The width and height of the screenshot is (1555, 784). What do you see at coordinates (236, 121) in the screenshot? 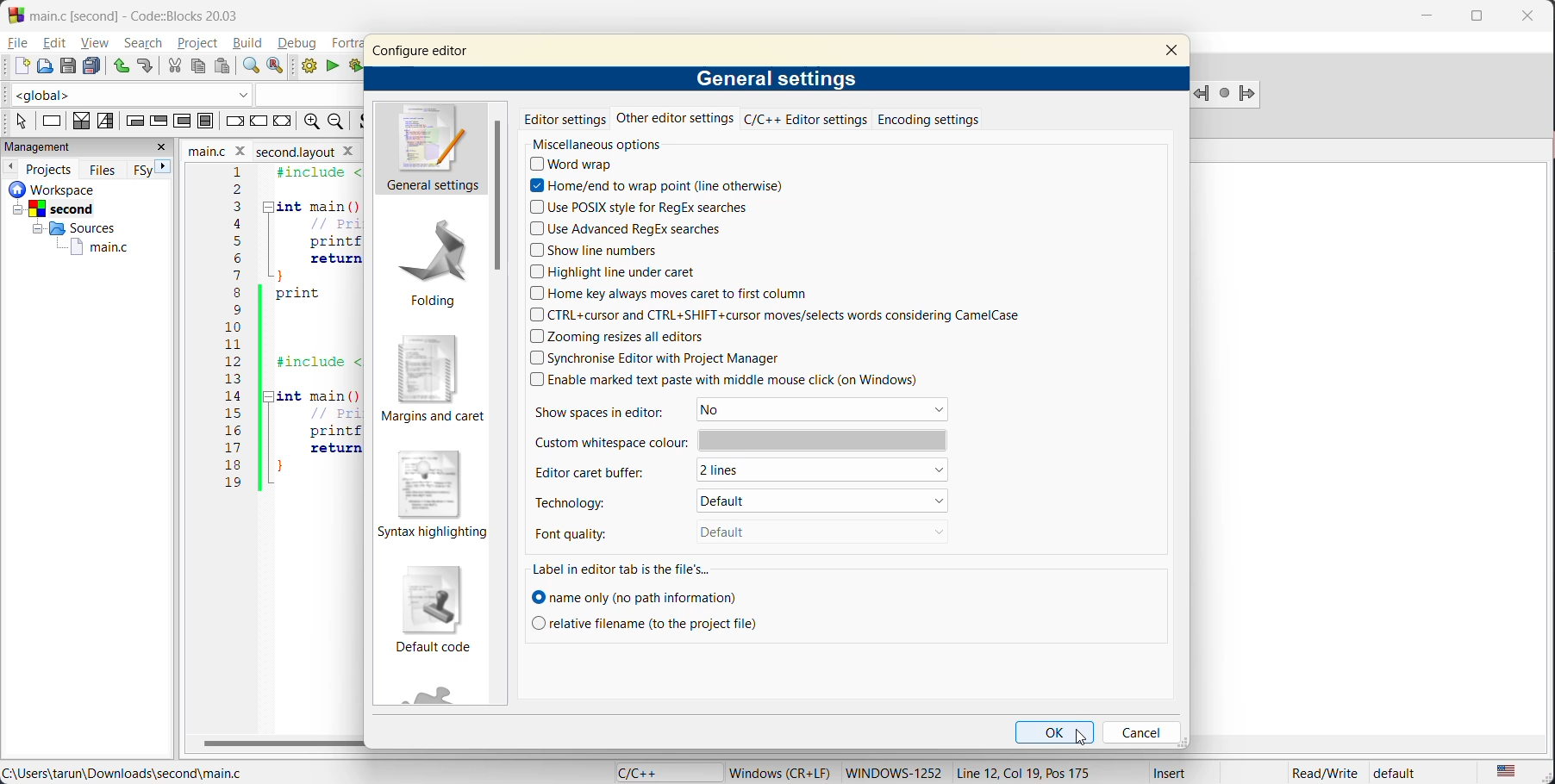
I see `break instruction` at bounding box center [236, 121].